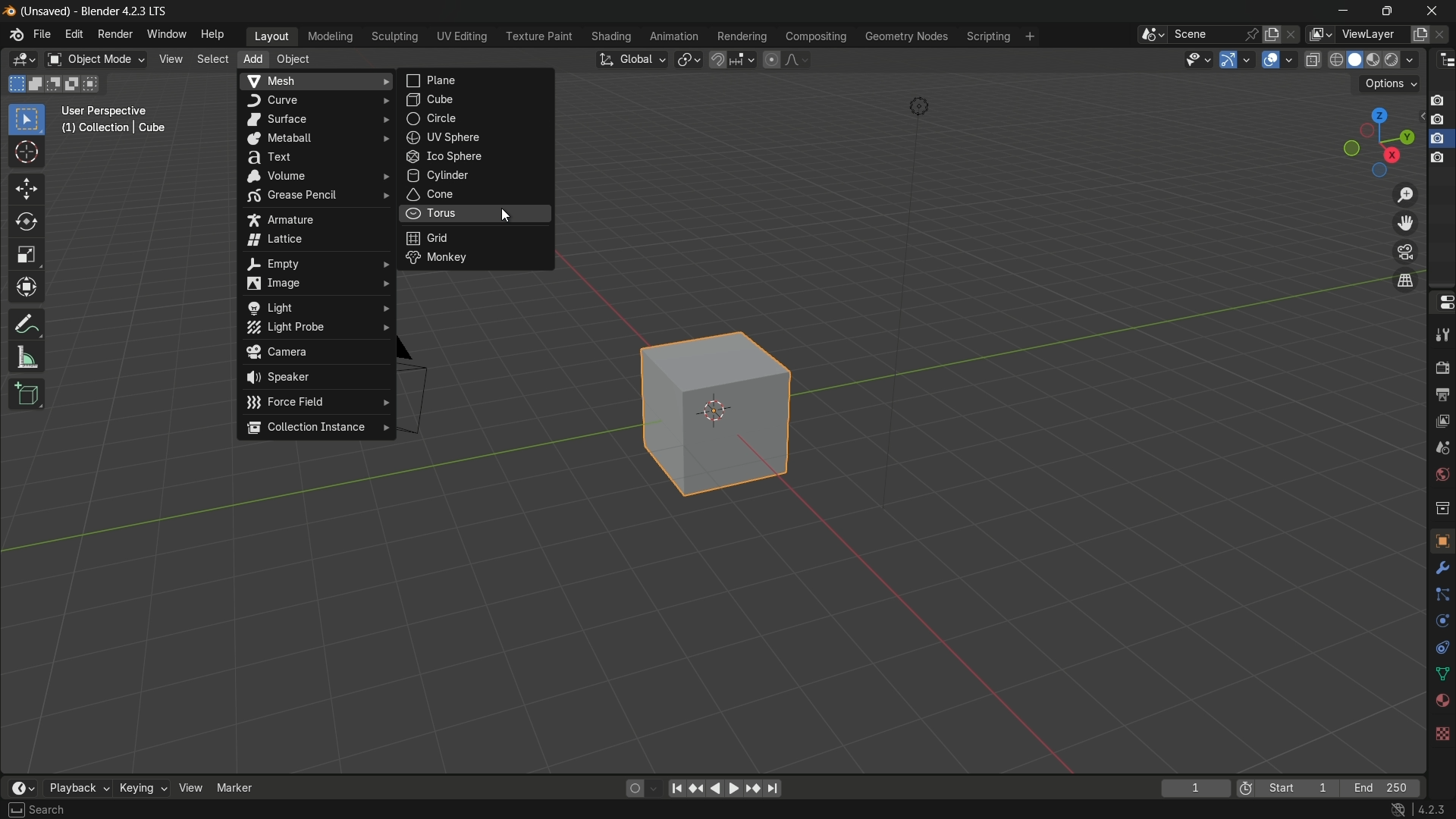  What do you see at coordinates (1439, 475) in the screenshot?
I see `world` at bounding box center [1439, 475].